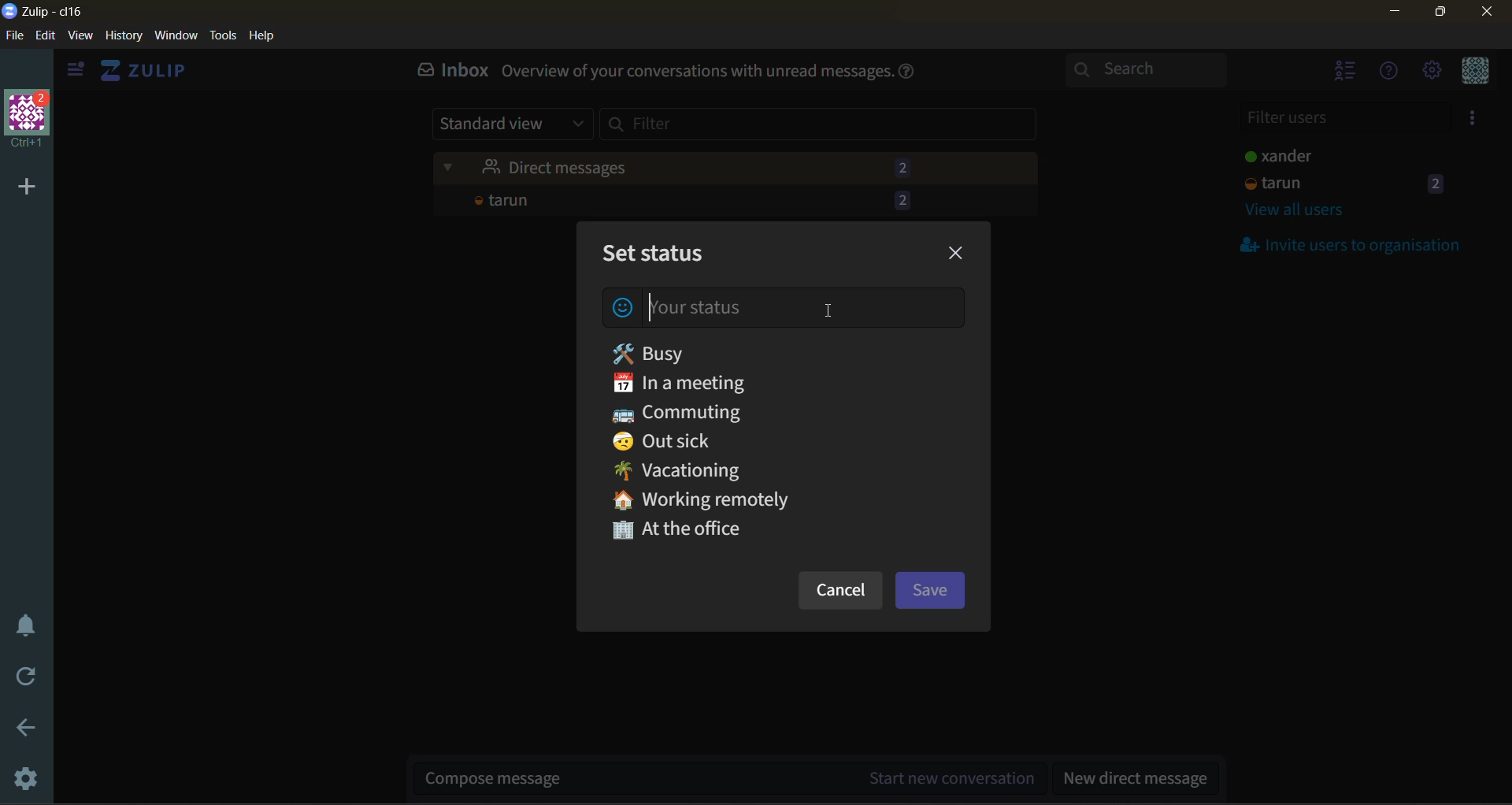 Image resolution: width=1512 pixels, height=805 pixels. I want to click on save, so click(933, 589).